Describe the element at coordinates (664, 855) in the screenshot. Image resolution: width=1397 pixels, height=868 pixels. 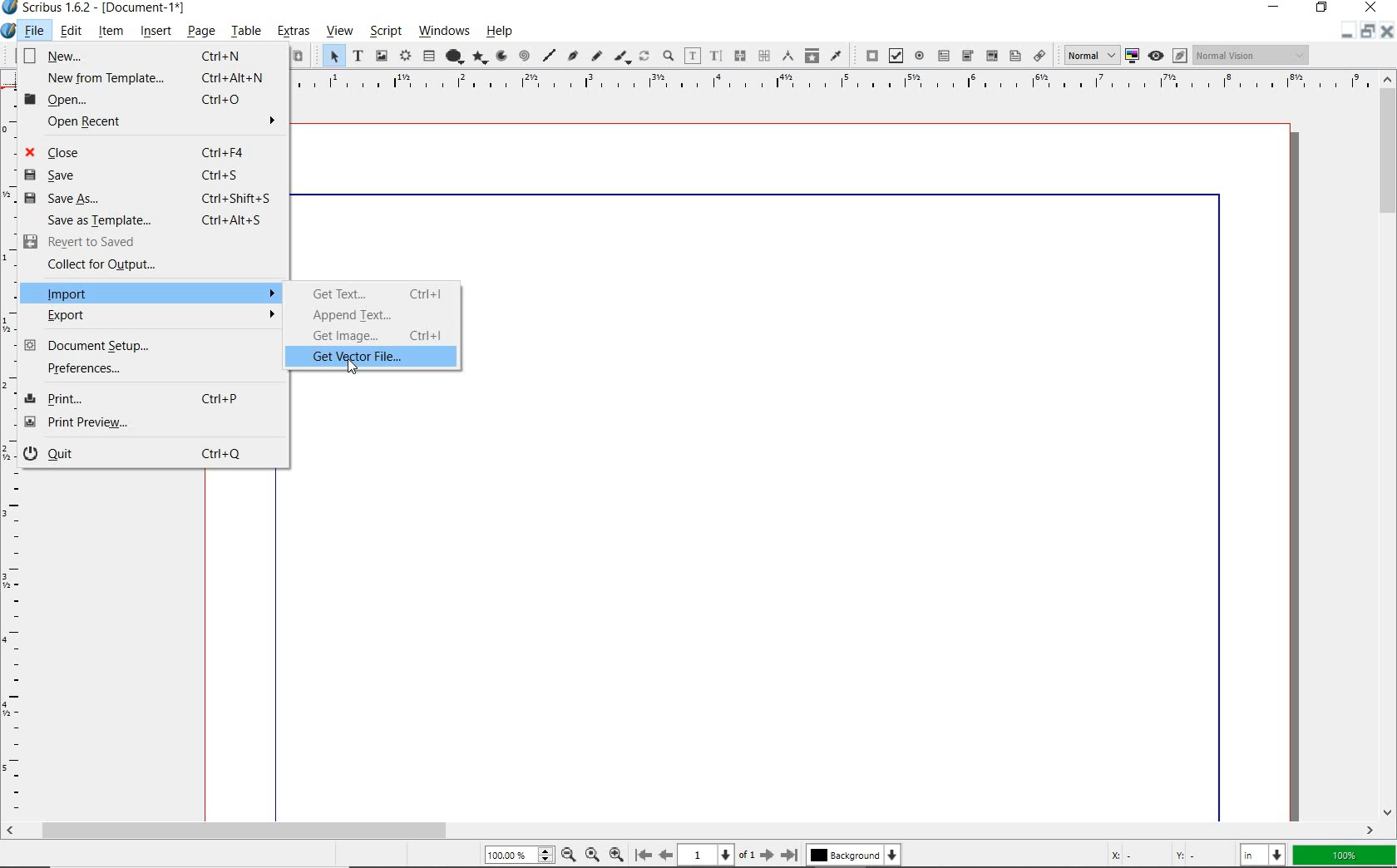
I see `Previous Page` at that location.